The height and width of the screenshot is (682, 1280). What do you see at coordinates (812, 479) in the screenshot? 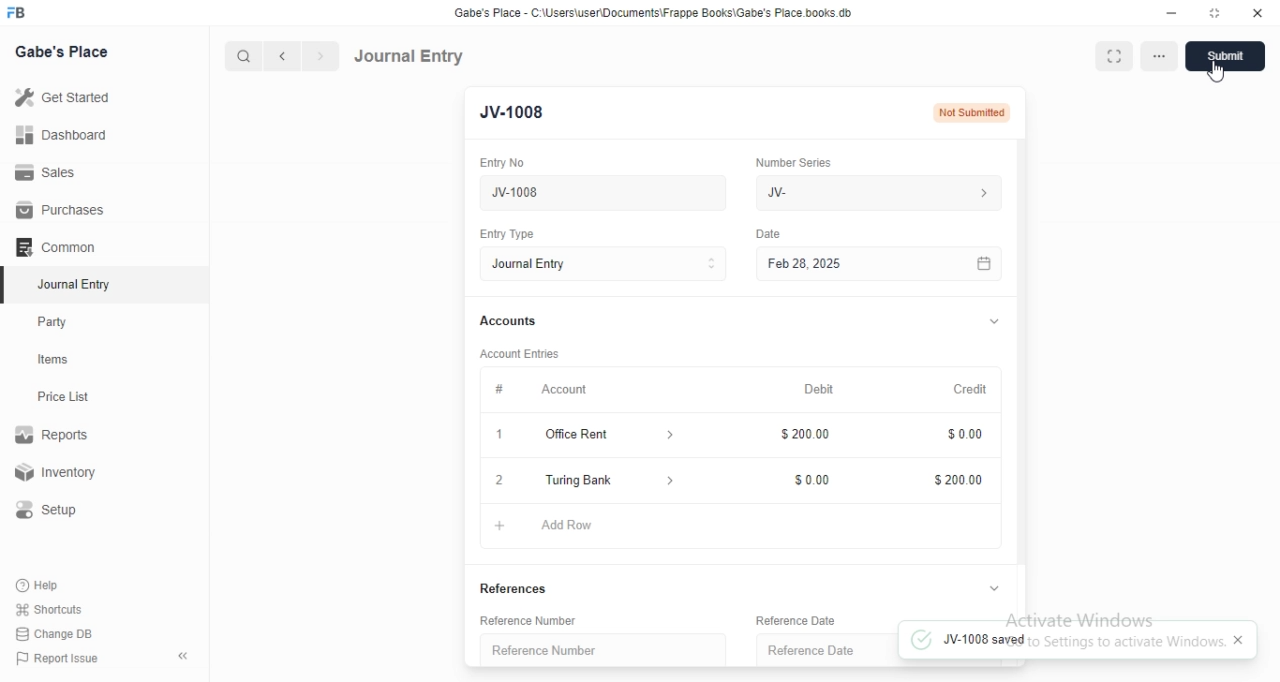
I see `$0.00` at bounding box center [812, 479].